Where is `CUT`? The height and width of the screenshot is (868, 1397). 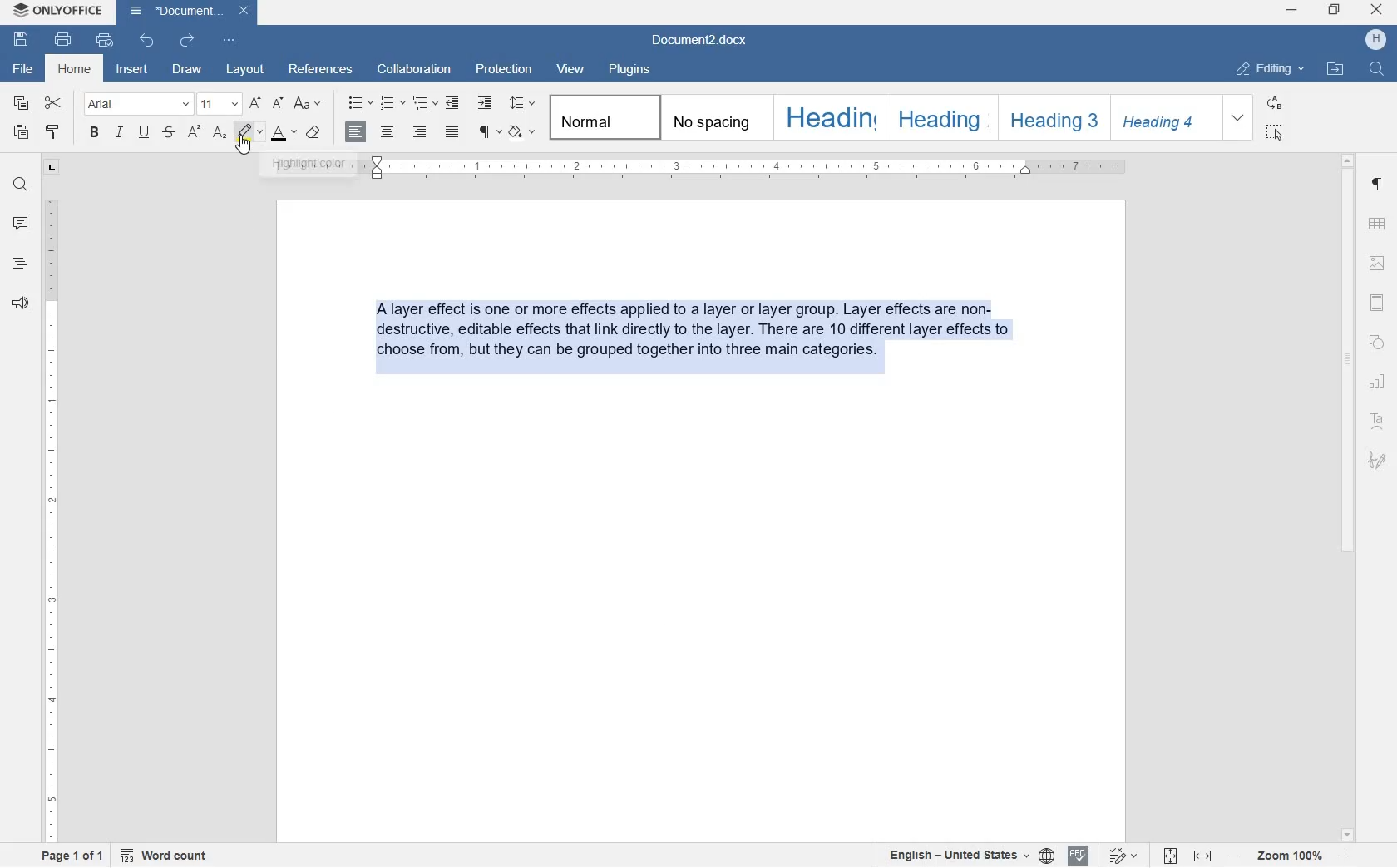 CUT is located at coordinates (54, 104).